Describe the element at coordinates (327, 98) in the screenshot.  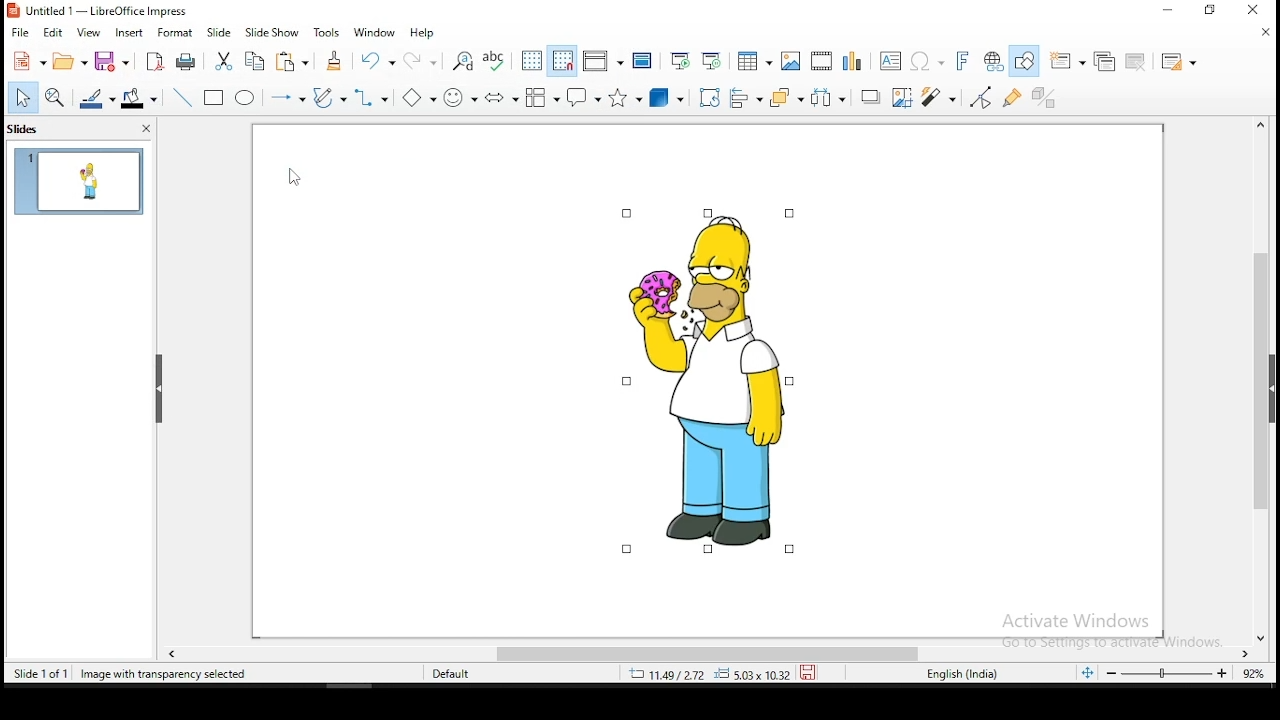
I see `curves and polygons` at that location.